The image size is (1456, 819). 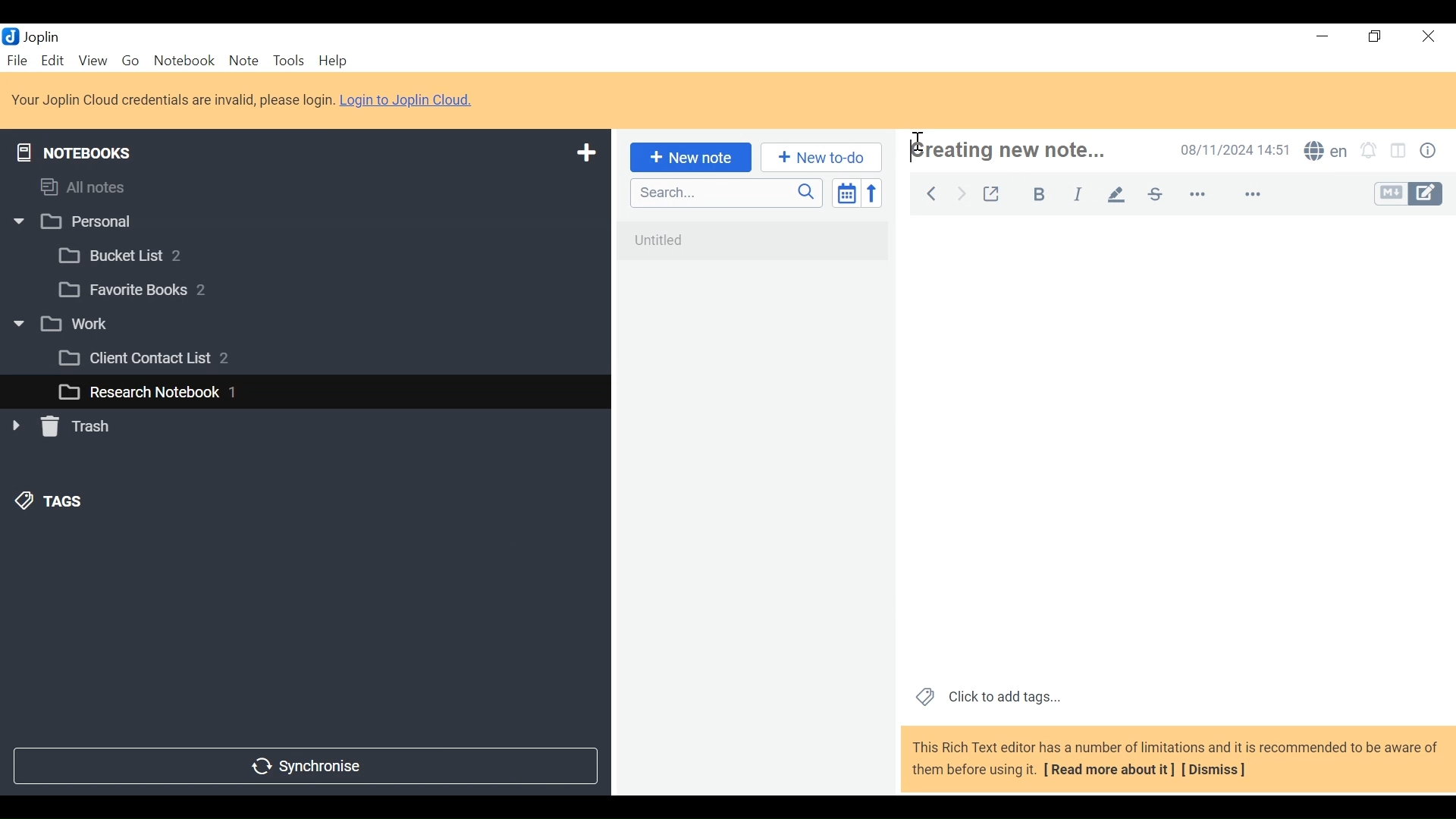 I want to click on Notebooks, so click(x=85, y=149).